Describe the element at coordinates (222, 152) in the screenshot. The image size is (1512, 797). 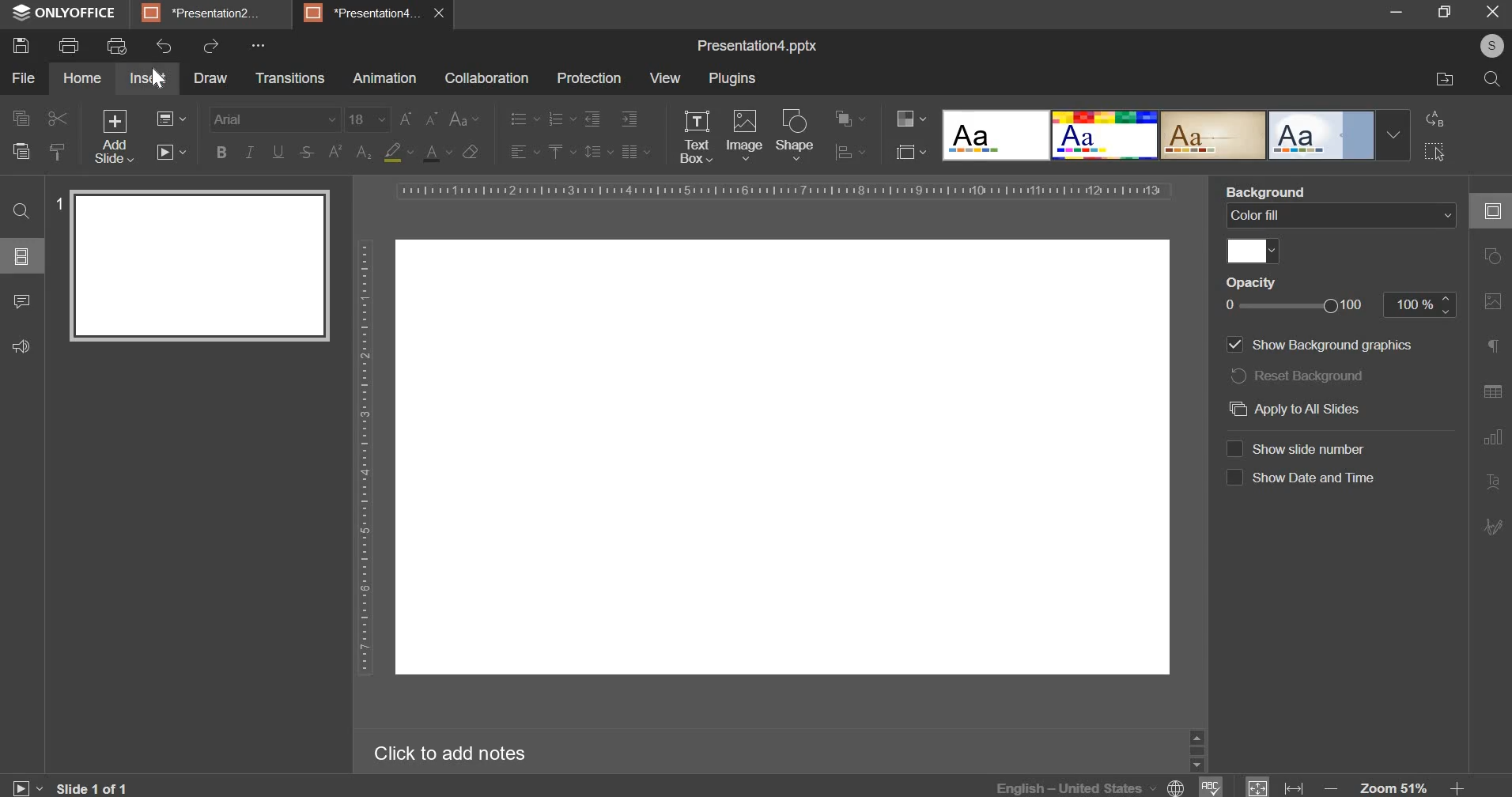
I see `bold` at that location.